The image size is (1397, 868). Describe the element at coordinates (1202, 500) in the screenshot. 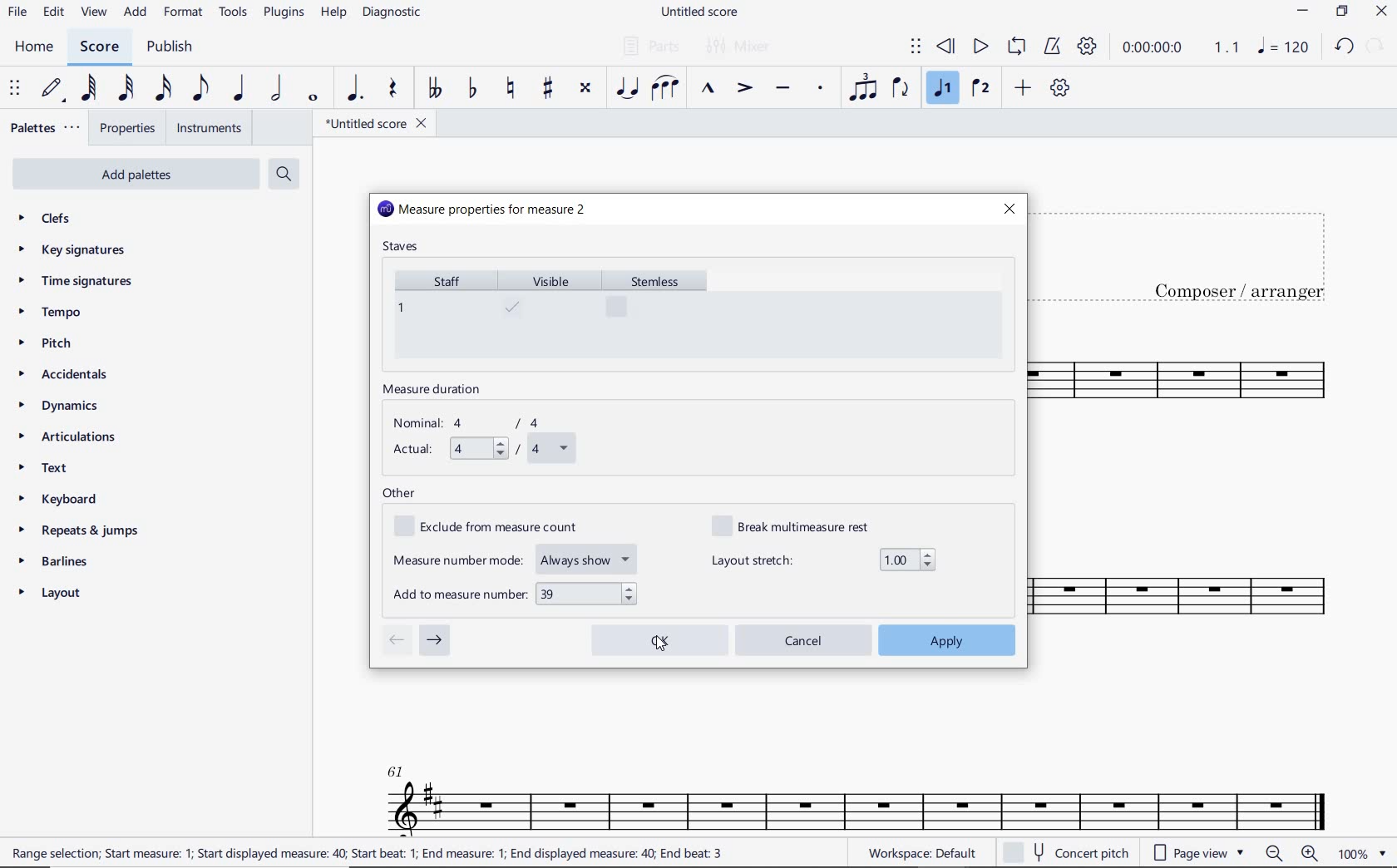

I see `INSTRUMENT: TENOR SAXOPHONE` at that location.